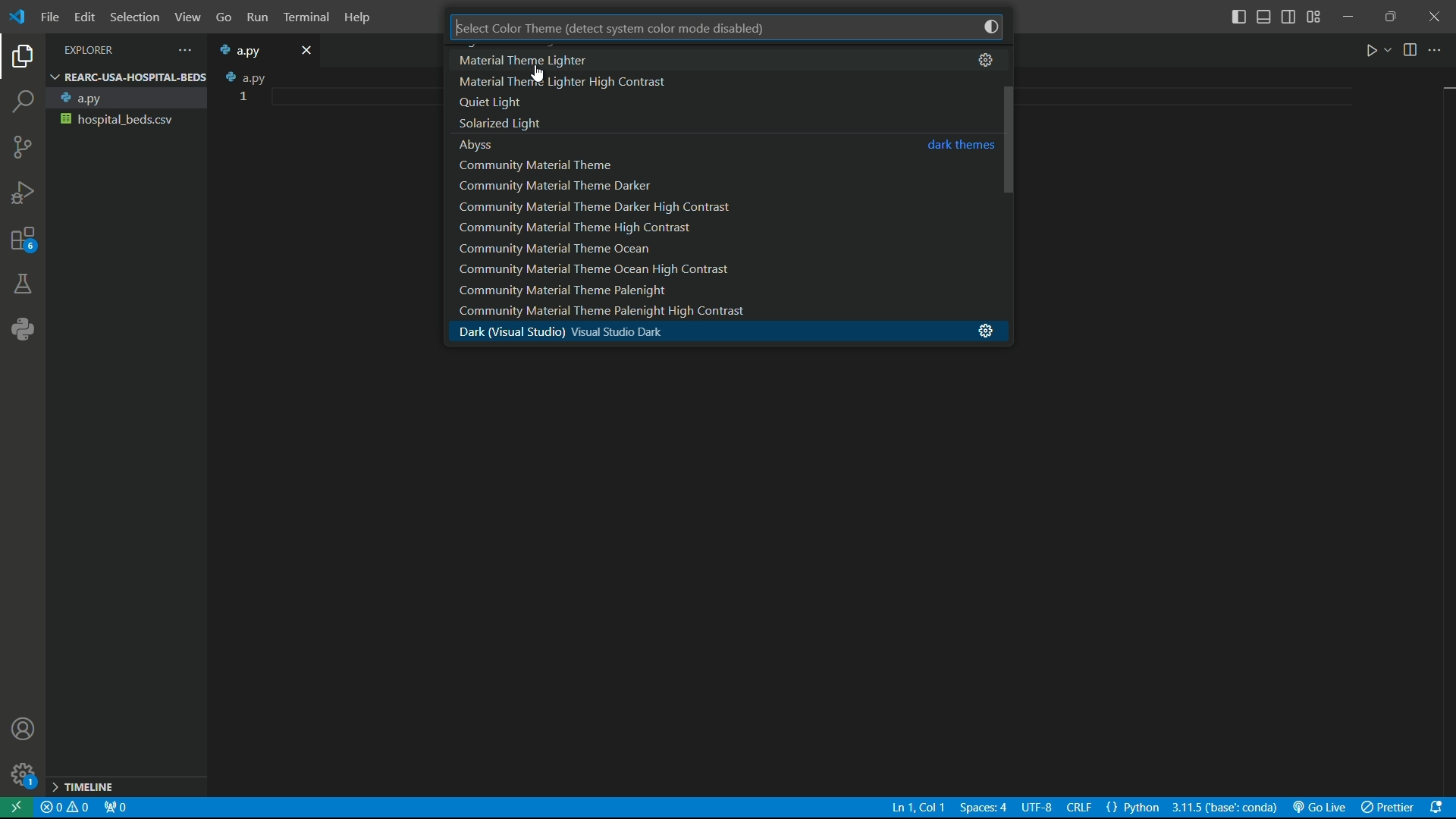  What do you see at coordinates (222, 19) in the screenshot?
I see `go menu` at bounding box center [222, 19].